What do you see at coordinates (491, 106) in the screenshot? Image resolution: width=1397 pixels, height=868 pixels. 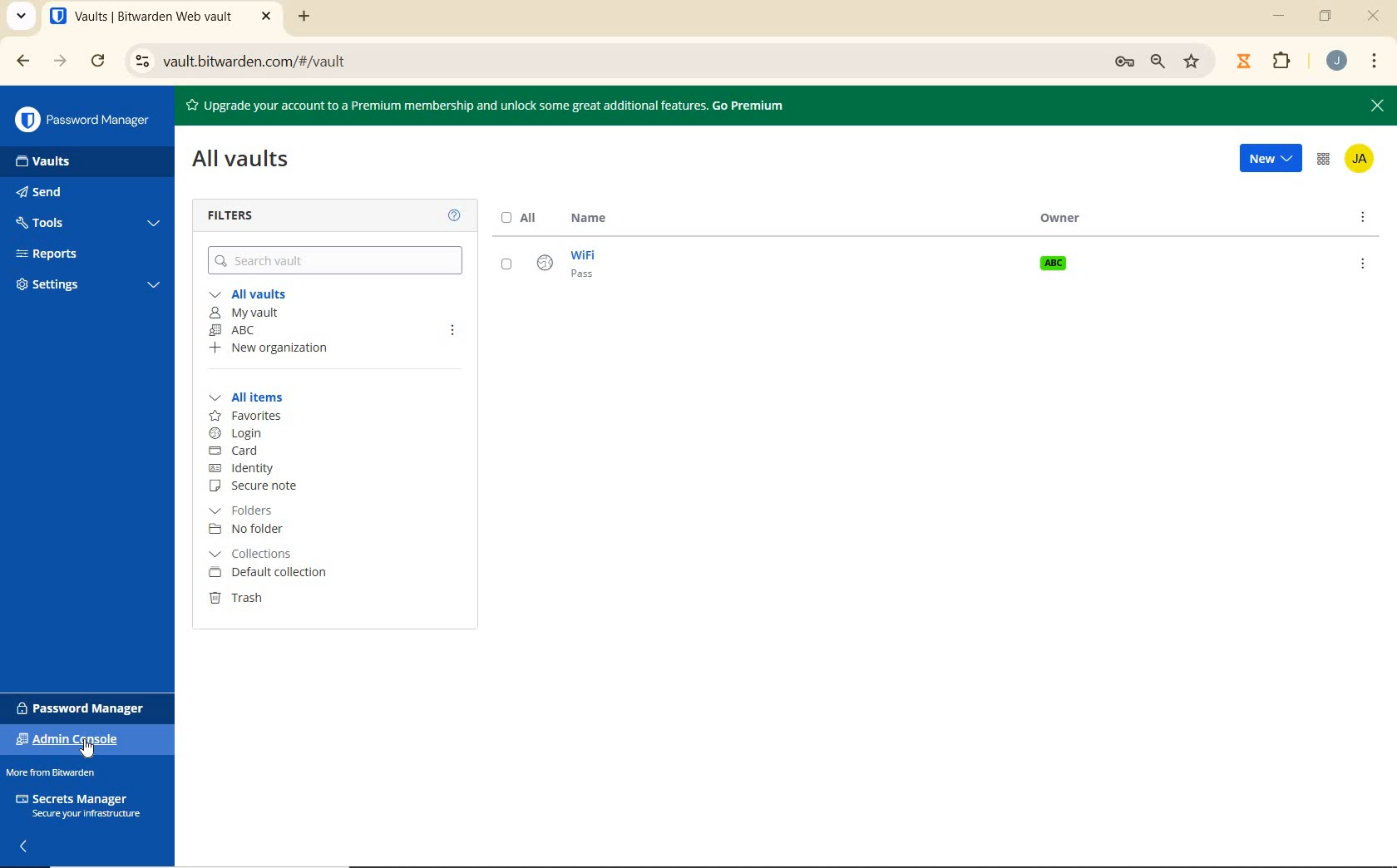 I see `UPGRADE ACCOUNT` at bounding box center [491, 106].